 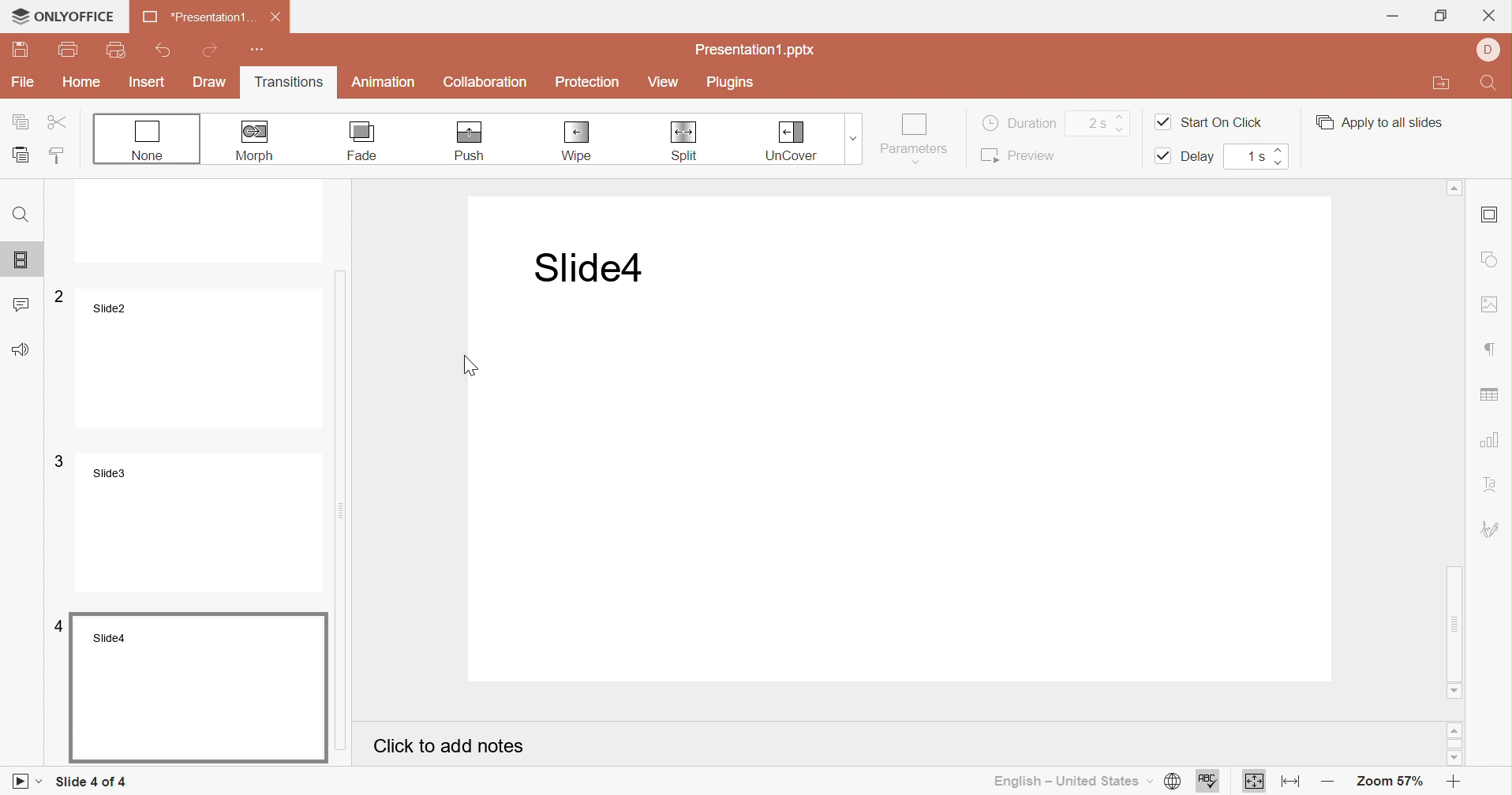 What do you see at coordinates (1441, 84) in the screenshot?
I see `Open file location` at bounding box center [1441, 84].